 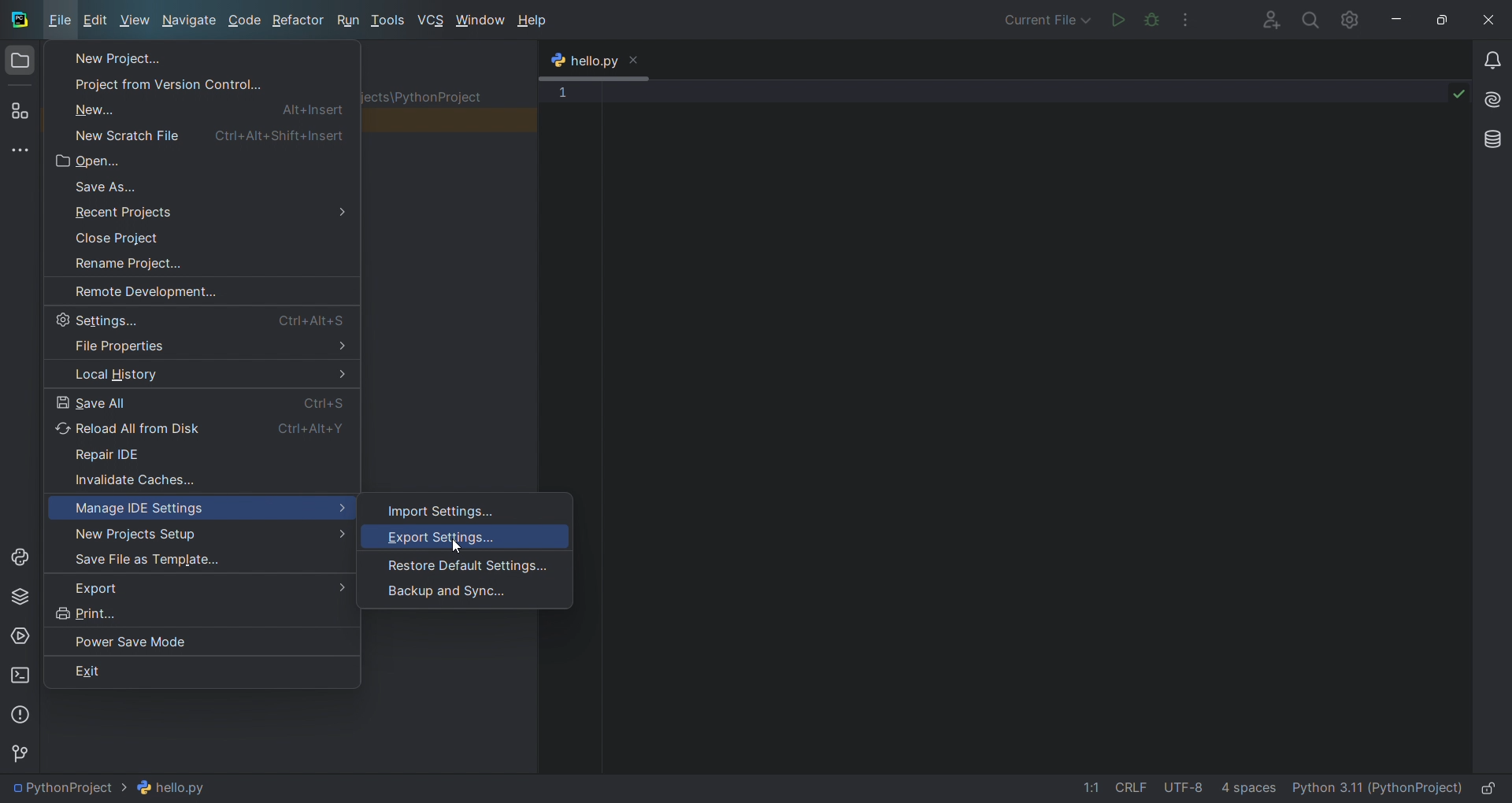 What do you see at coordinates (389, 22) in the screenshot?
I see `tools` at bounding box center [389, 22].